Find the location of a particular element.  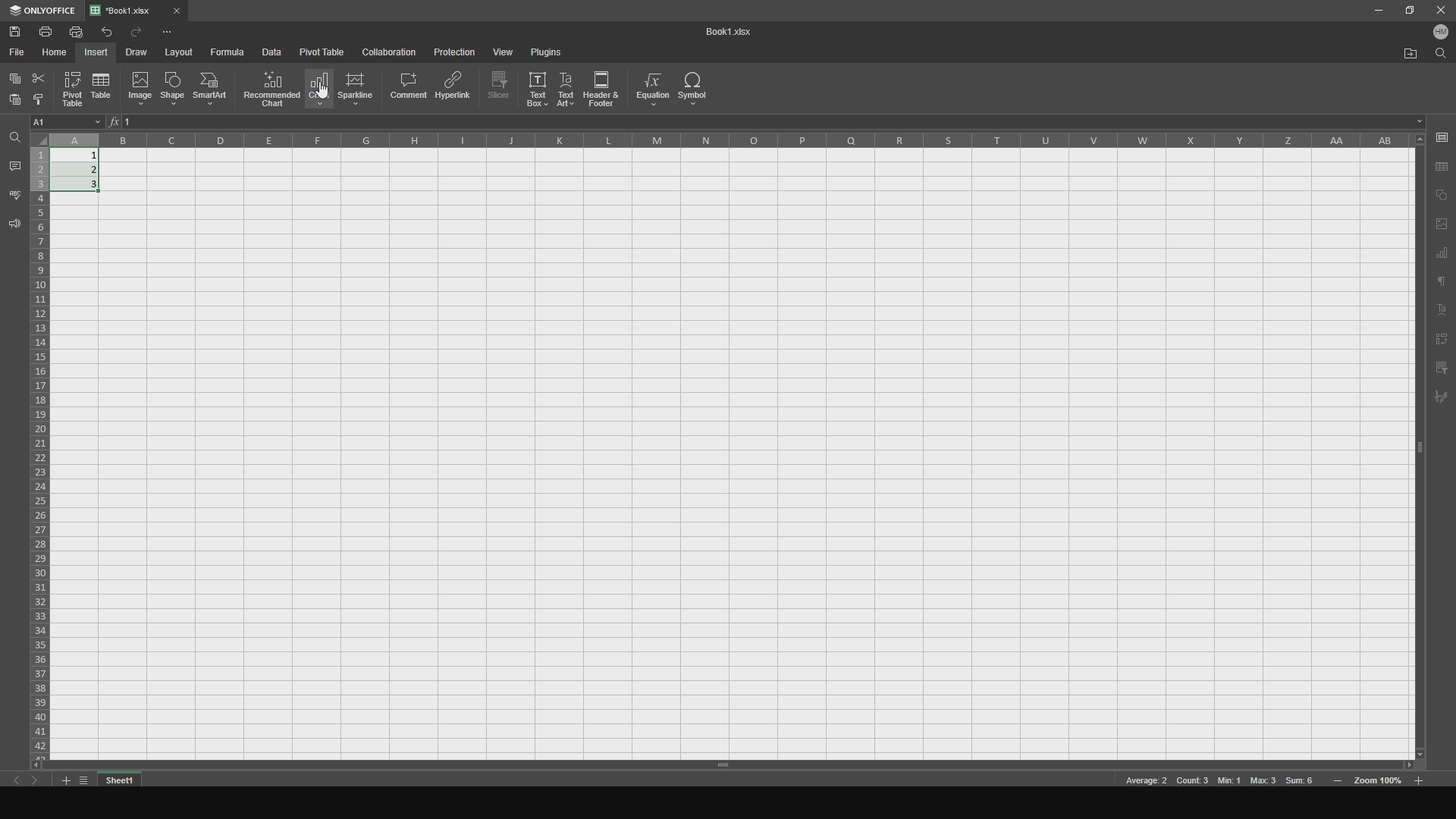

completed cells is located at coordinates (83, 171).